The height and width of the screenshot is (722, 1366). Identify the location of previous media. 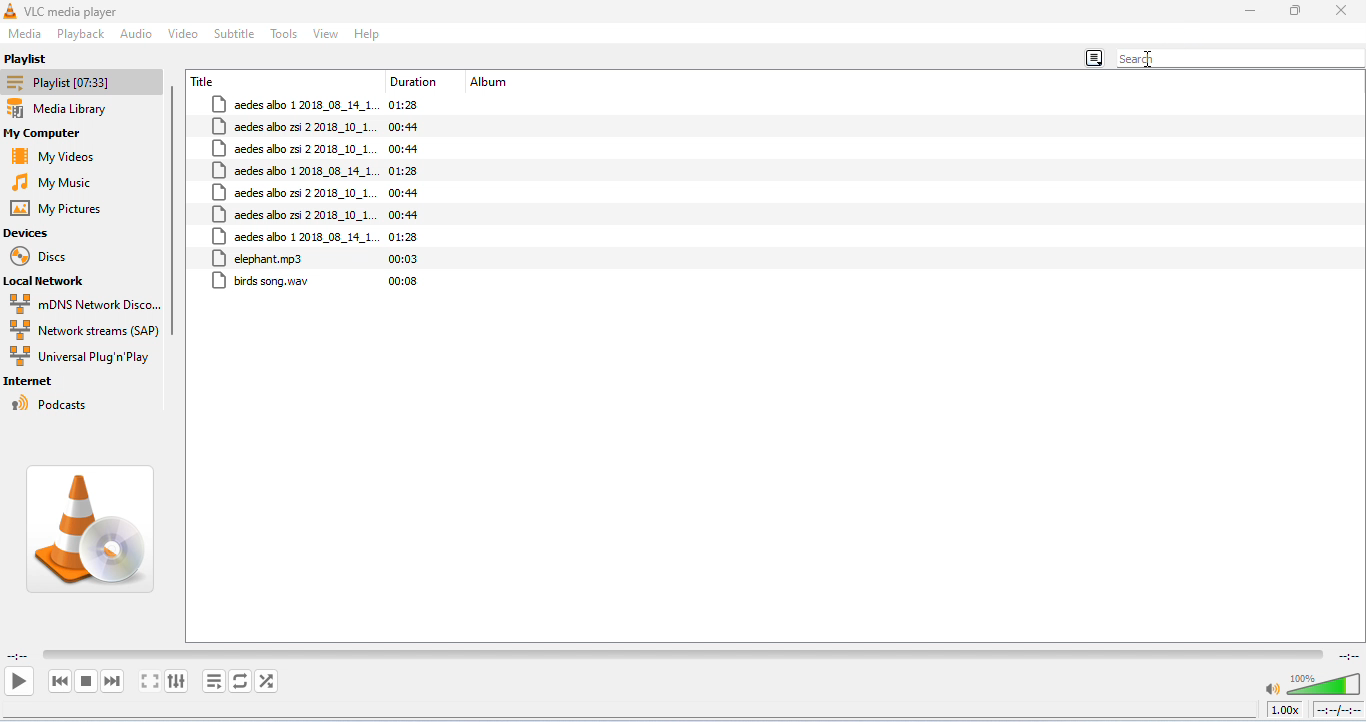
(61, 682).